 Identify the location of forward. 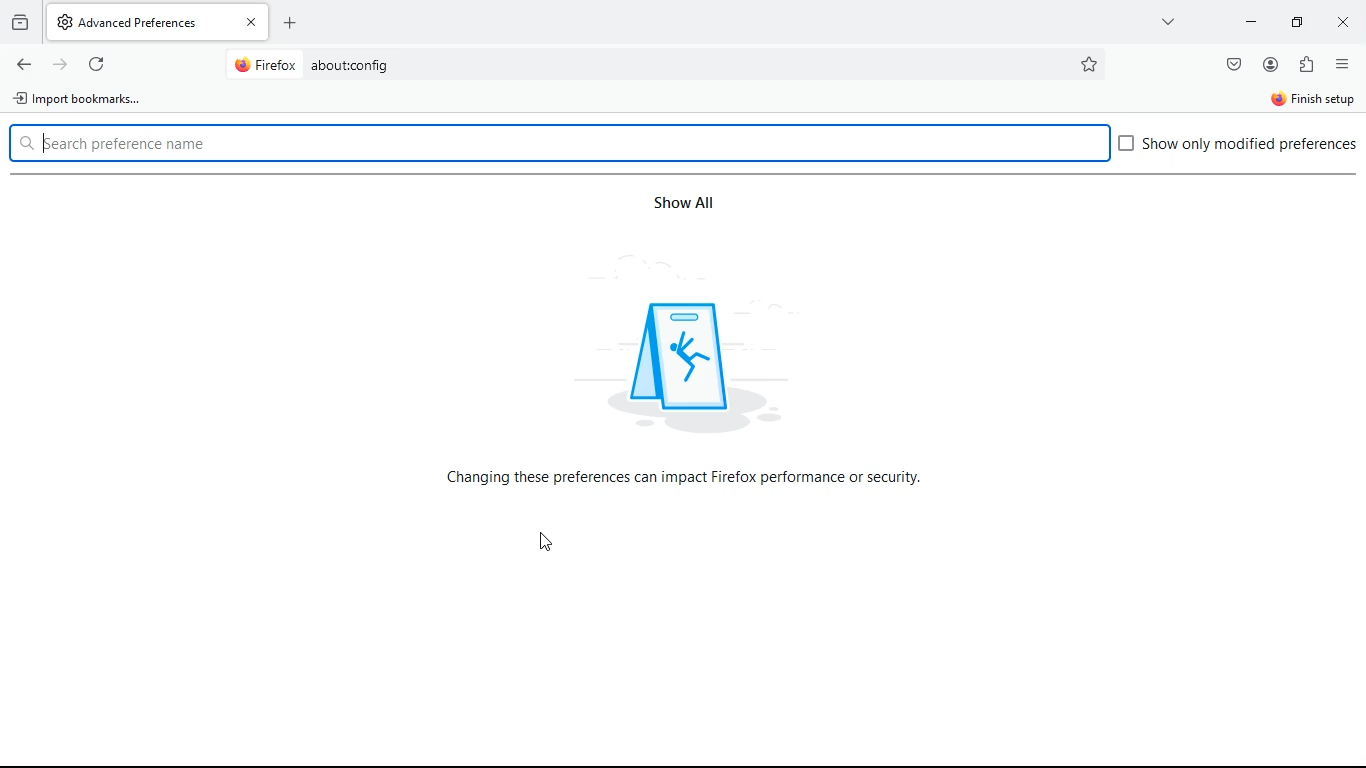
(62, 64).